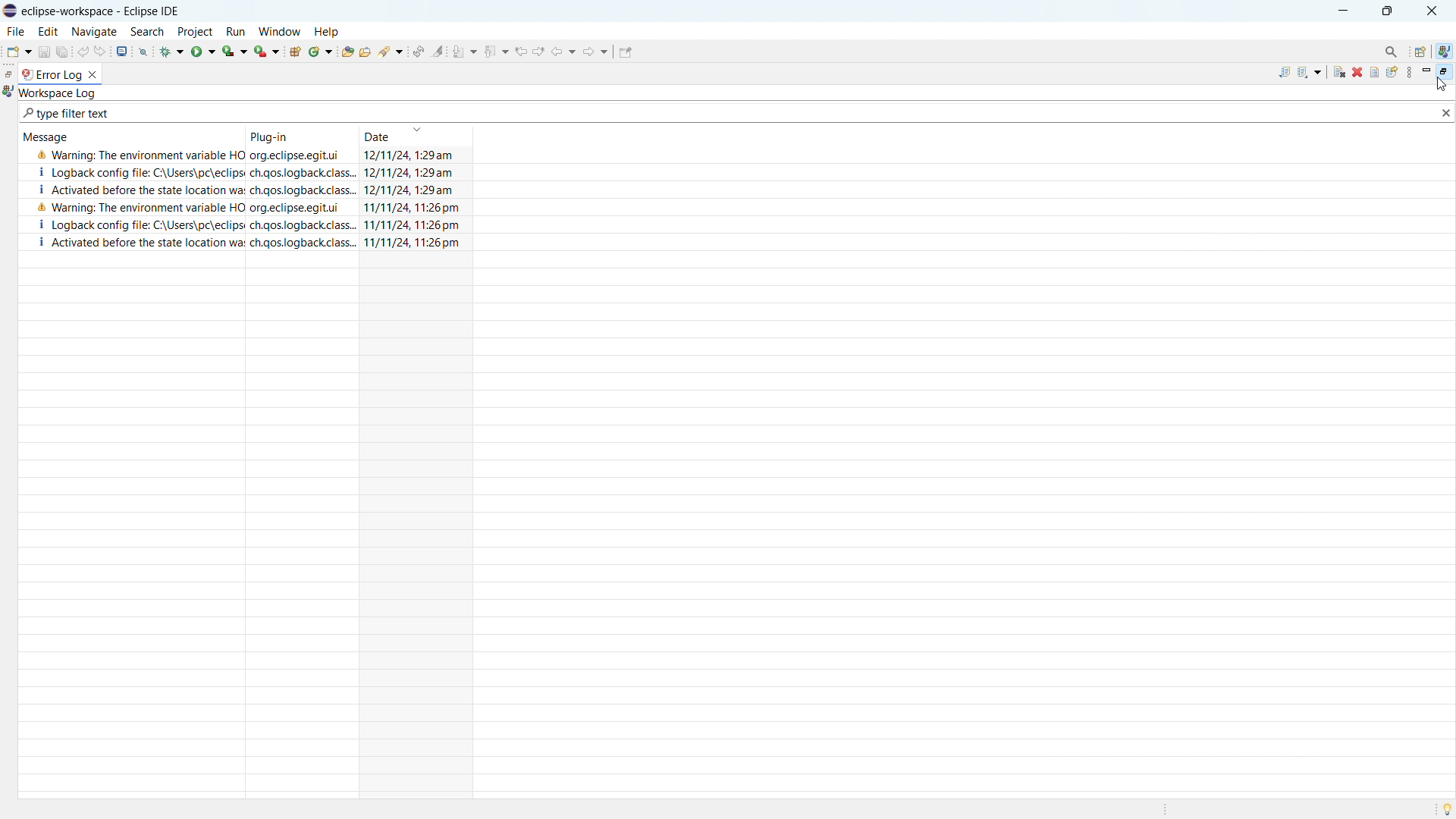 The width and height of the screenshot is (1456, 819). Describe the element at coordinates (136, 188) in the screenshot. I see `i Activated before the state location wa` at that location.